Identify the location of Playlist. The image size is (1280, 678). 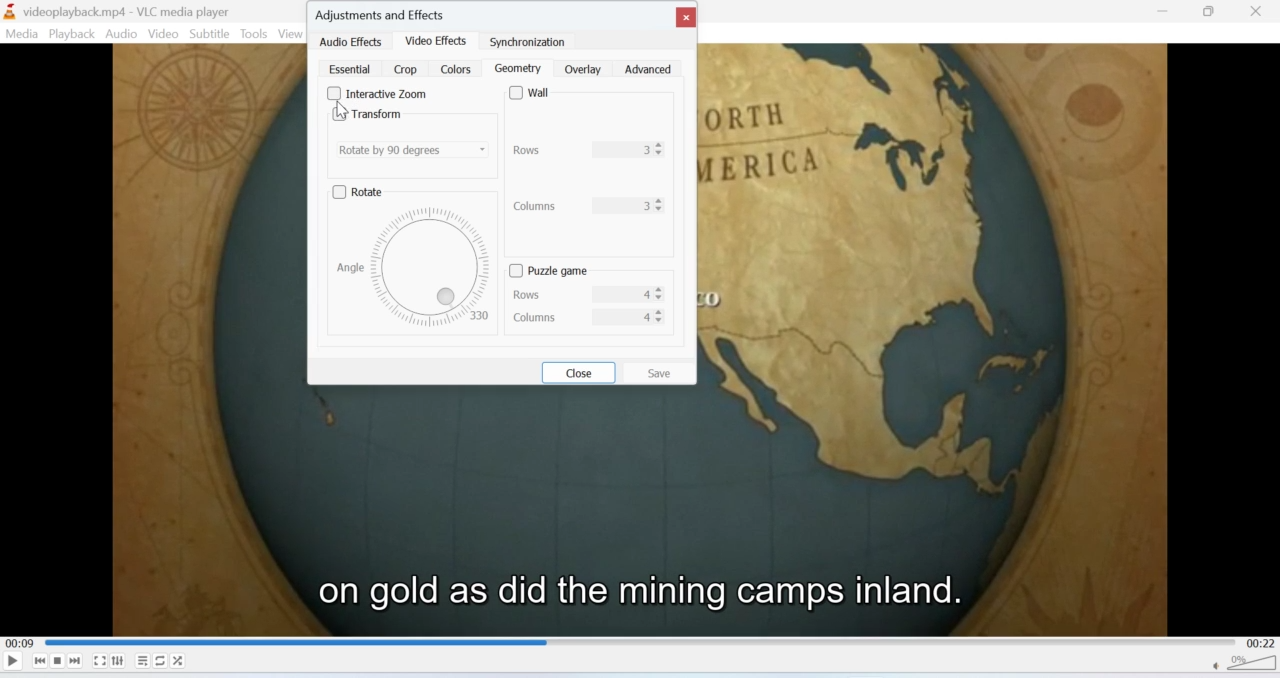
(143, 661).